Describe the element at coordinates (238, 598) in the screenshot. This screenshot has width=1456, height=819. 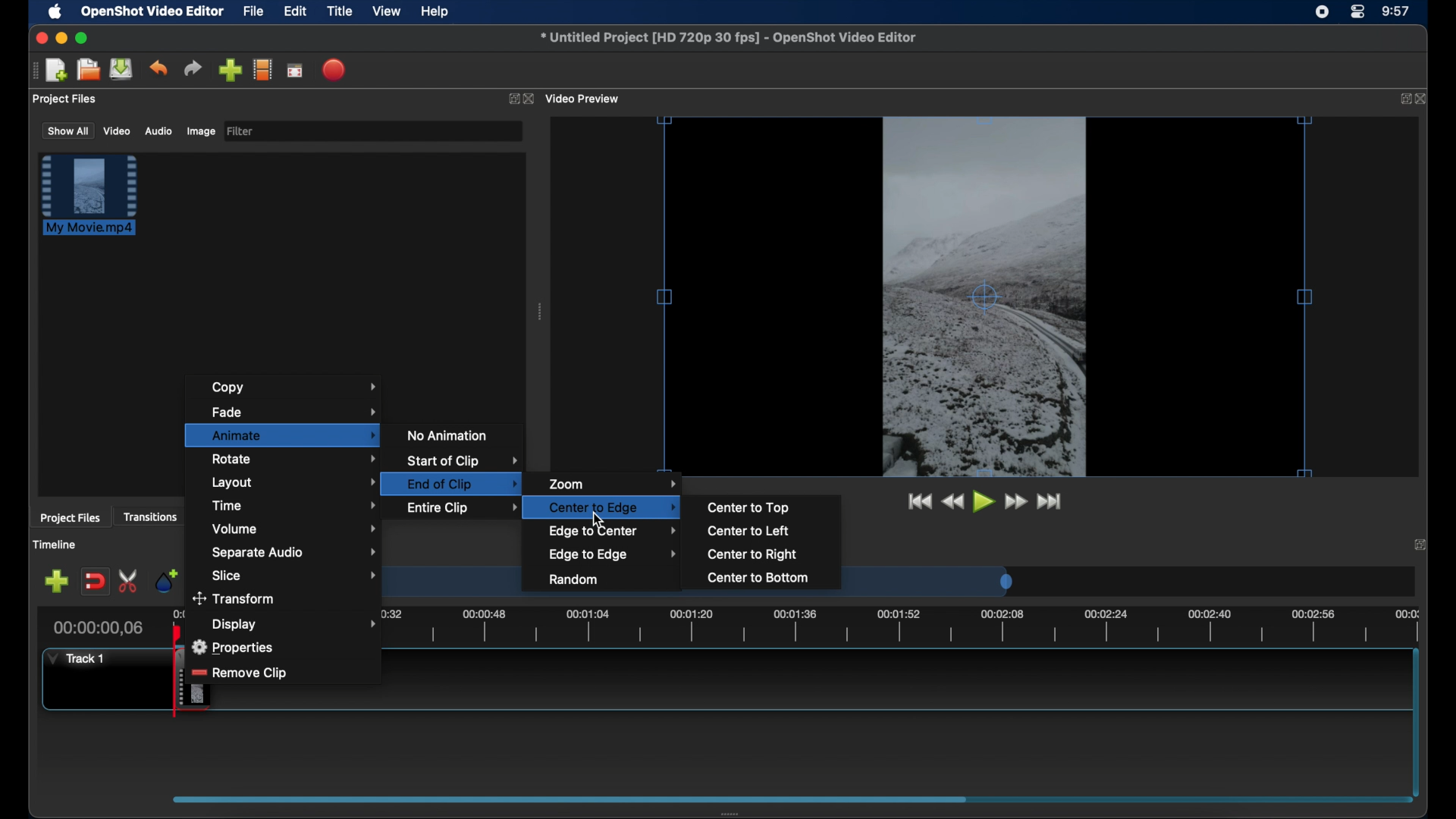
I see `transform` at that location.